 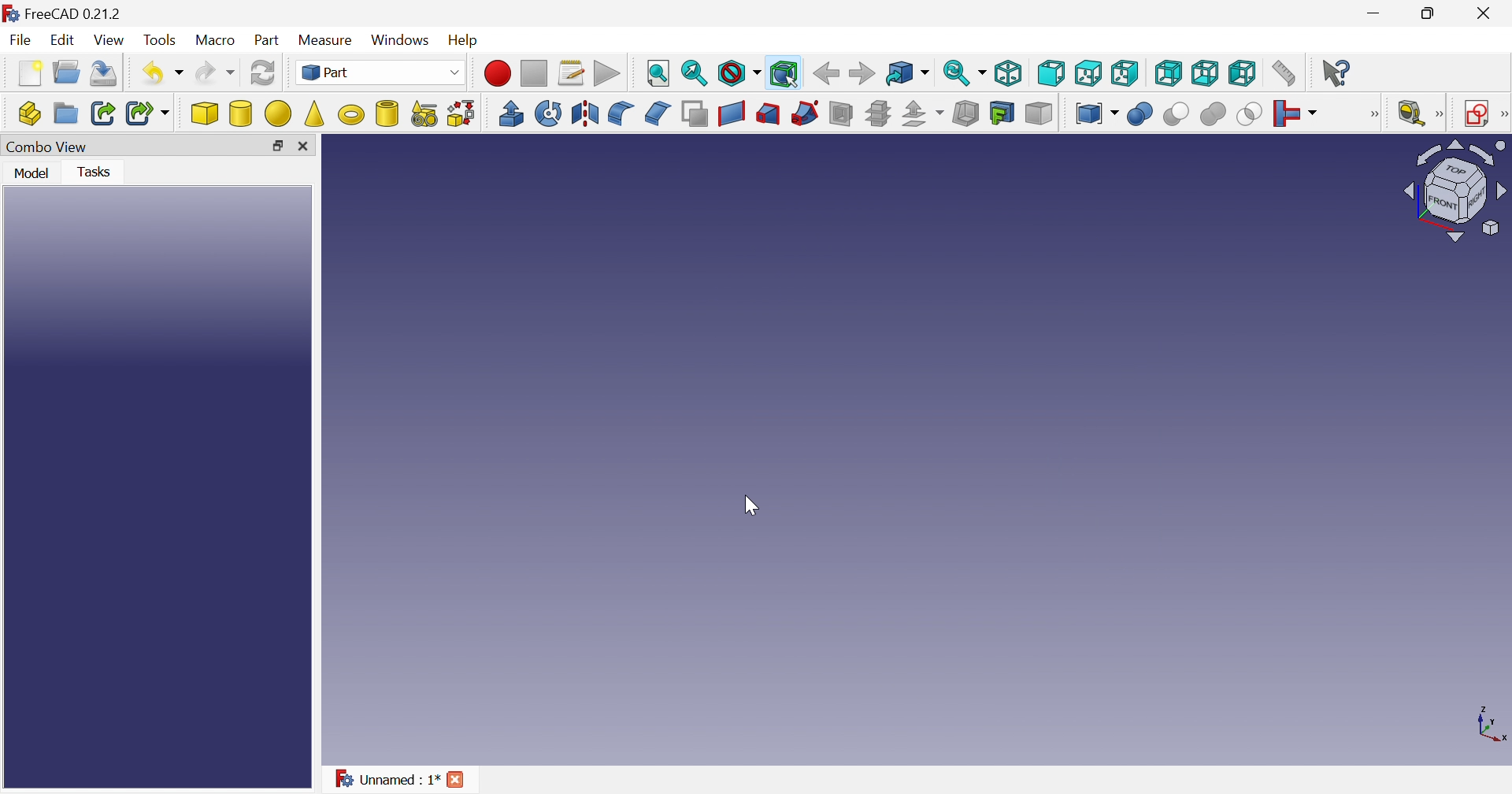 What do you see at coordinates (1488, 724) in the screenshot?
I see `x, y axis` at bounding box center [1488, 724].